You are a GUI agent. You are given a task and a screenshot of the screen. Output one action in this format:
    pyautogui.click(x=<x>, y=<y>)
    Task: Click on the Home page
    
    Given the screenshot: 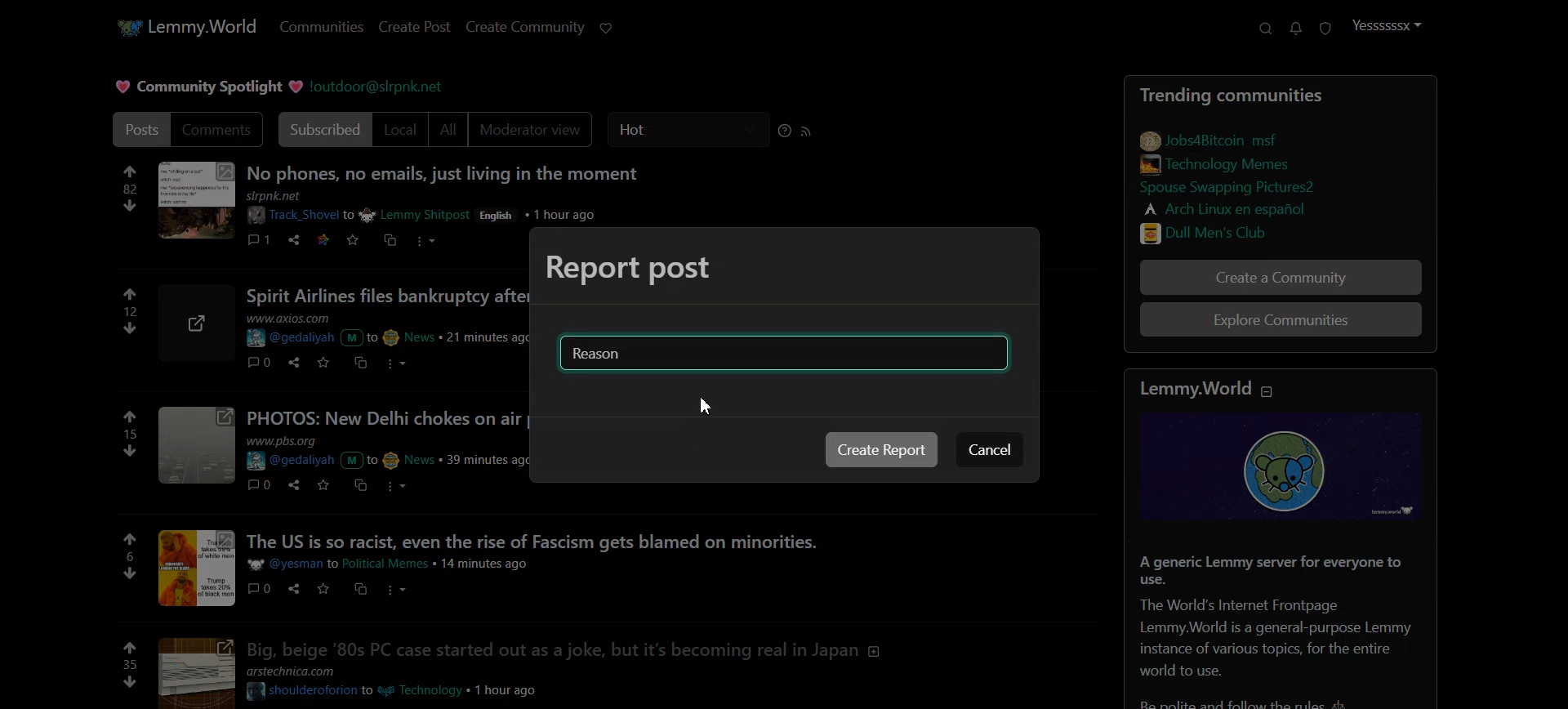 What is the action you would take?
    pyautogui.click(x=184, y=25)
    